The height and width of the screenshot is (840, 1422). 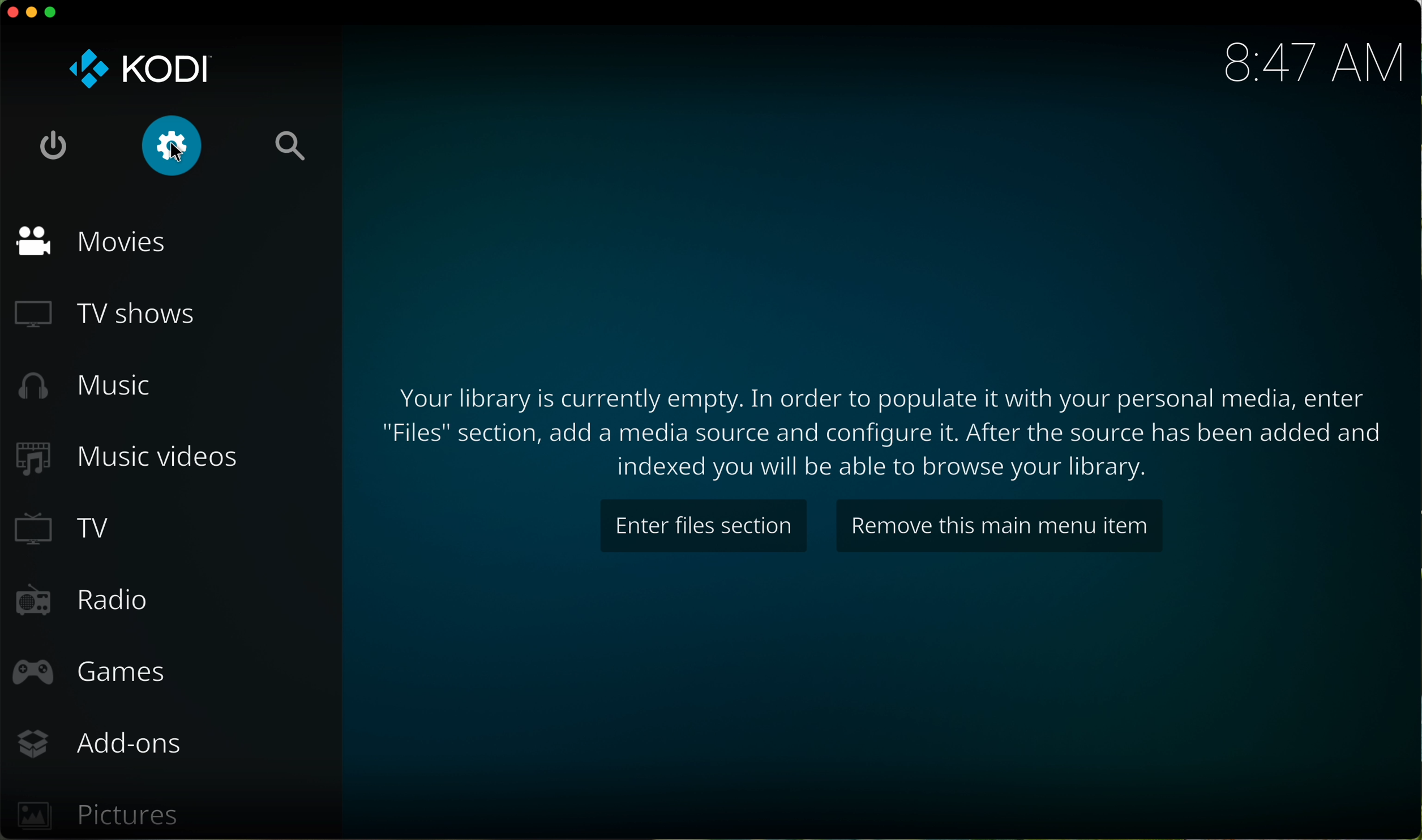 I want to click on remove this main menu item, so click(x=1001, y=524).